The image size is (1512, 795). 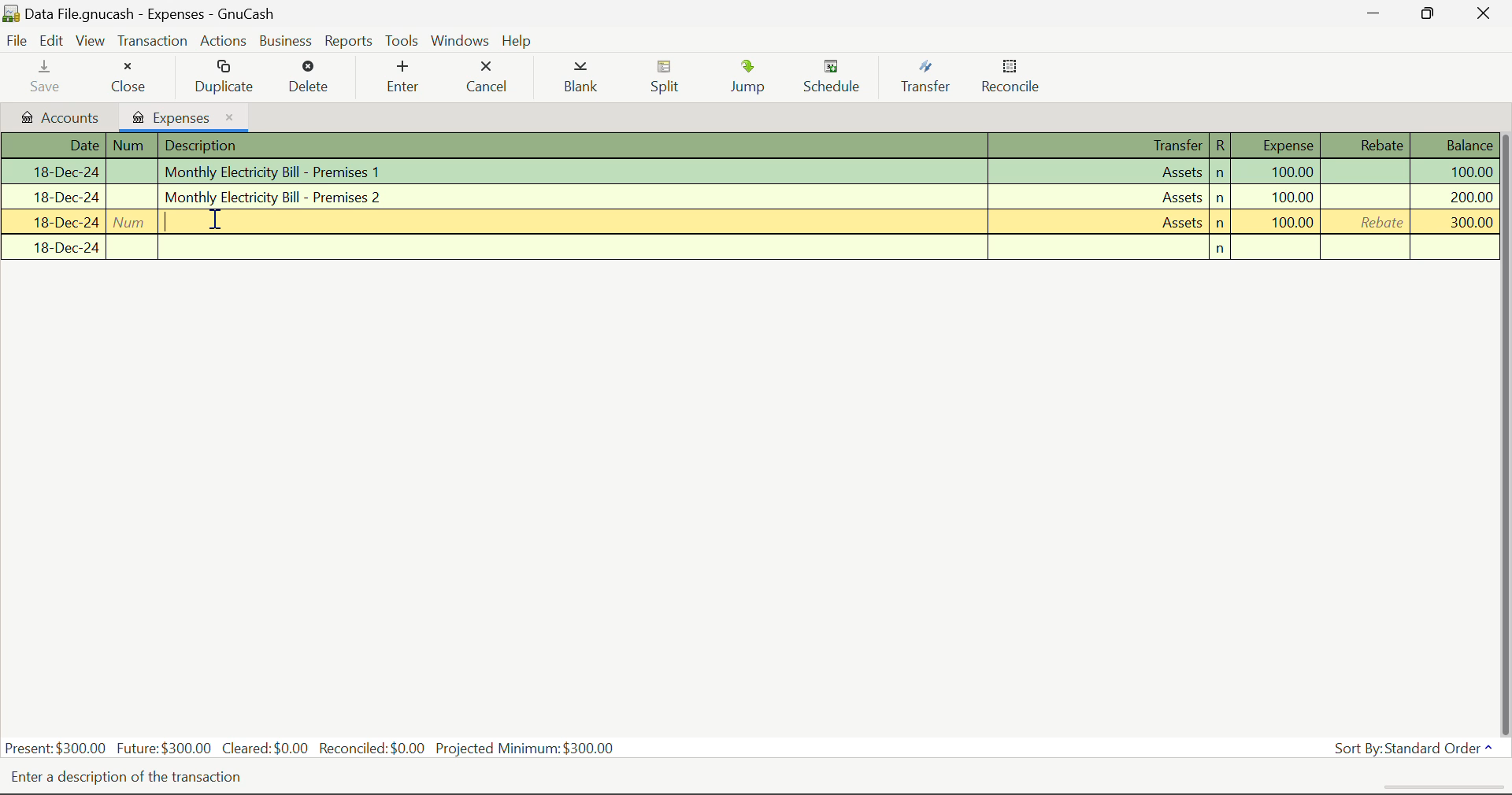 I want to click on Enter, so click(x=402, y=77).